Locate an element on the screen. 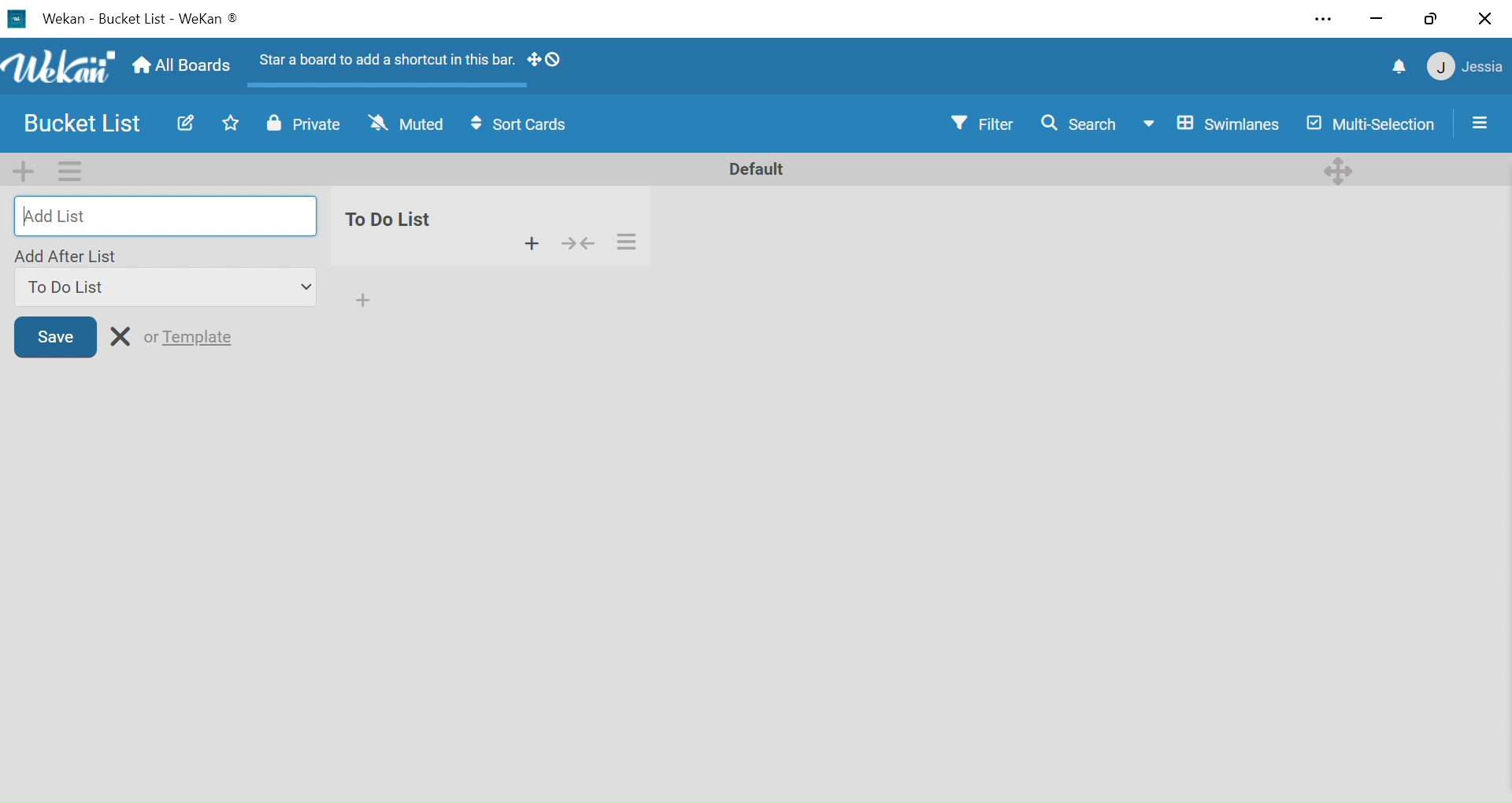 The height and width of the screenshot is (803, 1512). Username is located at coordinates (1484, 68).